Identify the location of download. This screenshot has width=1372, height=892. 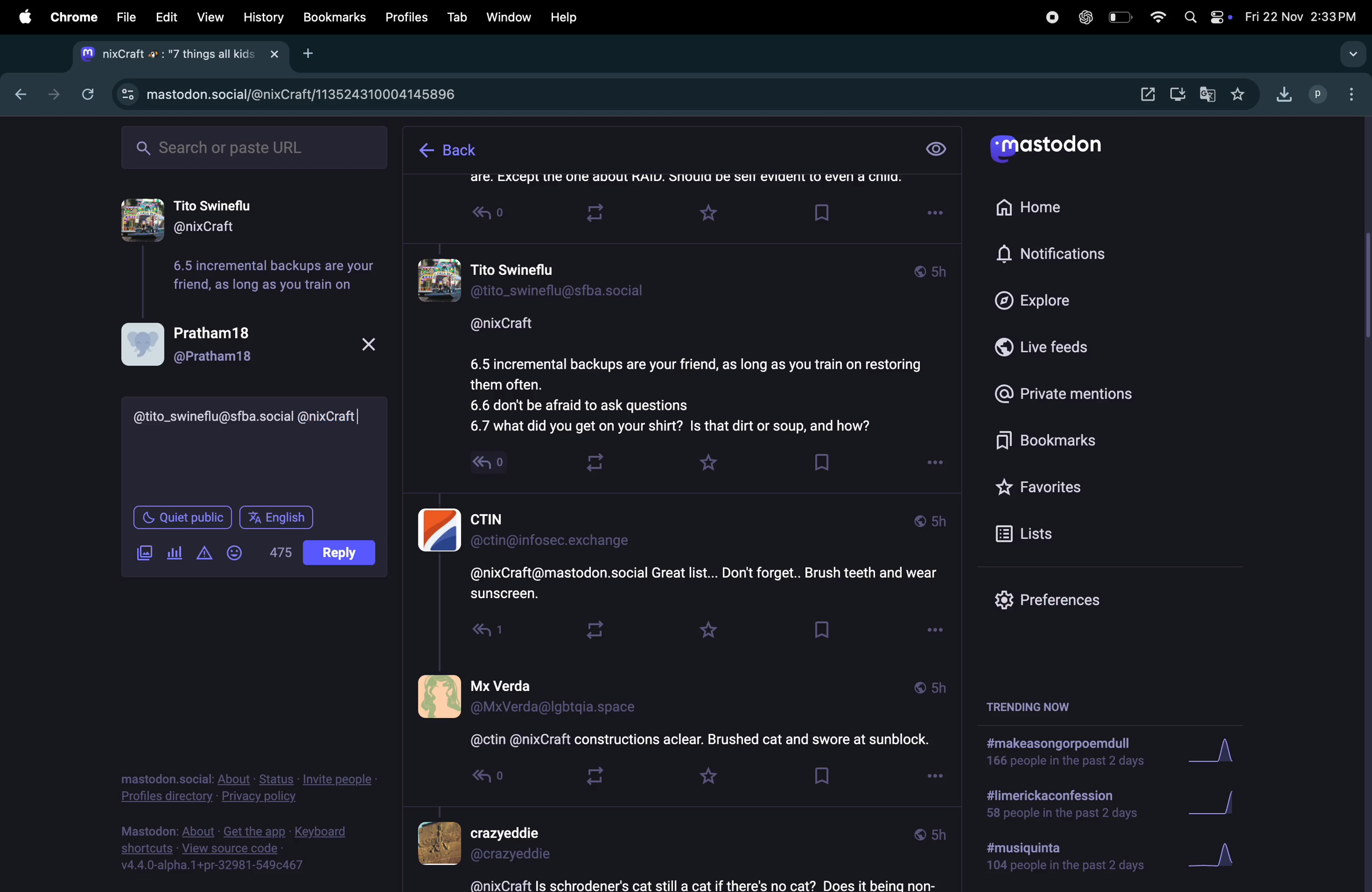
(1282, 97).